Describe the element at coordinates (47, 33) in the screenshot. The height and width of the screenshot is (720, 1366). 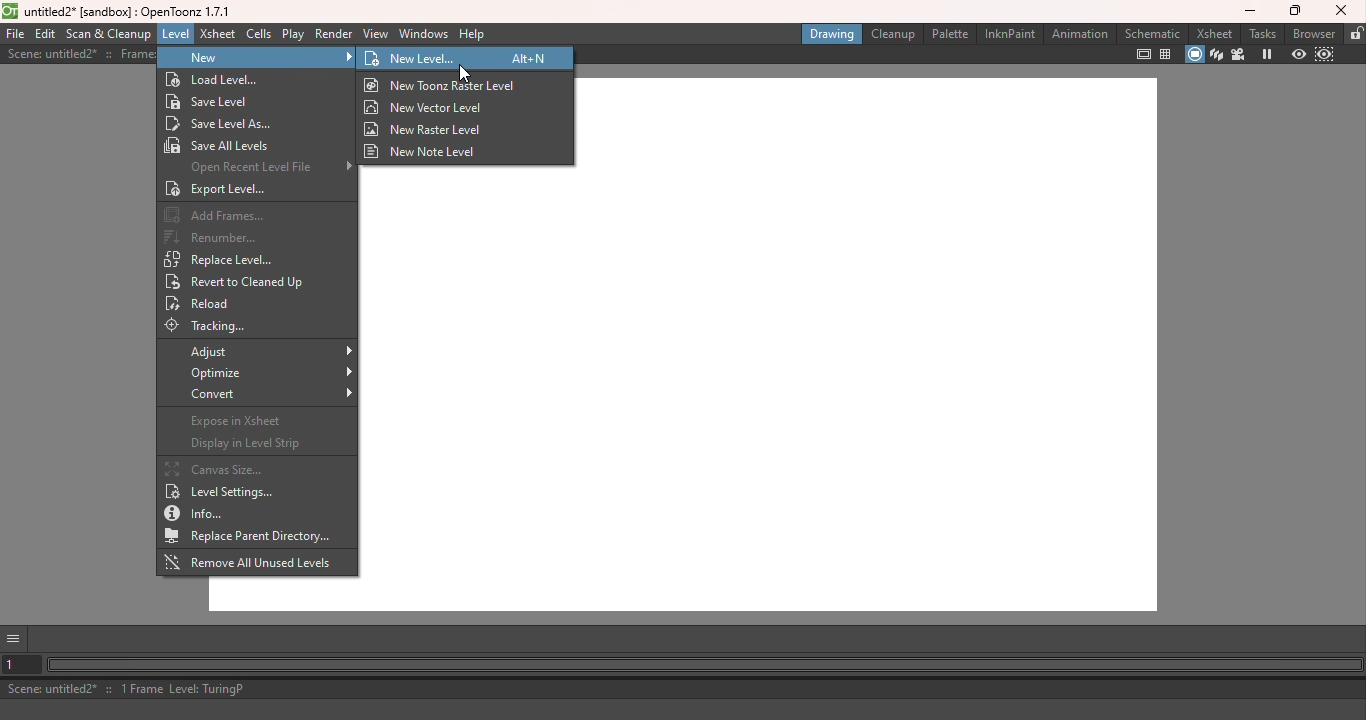
I see `Edit` at that location.